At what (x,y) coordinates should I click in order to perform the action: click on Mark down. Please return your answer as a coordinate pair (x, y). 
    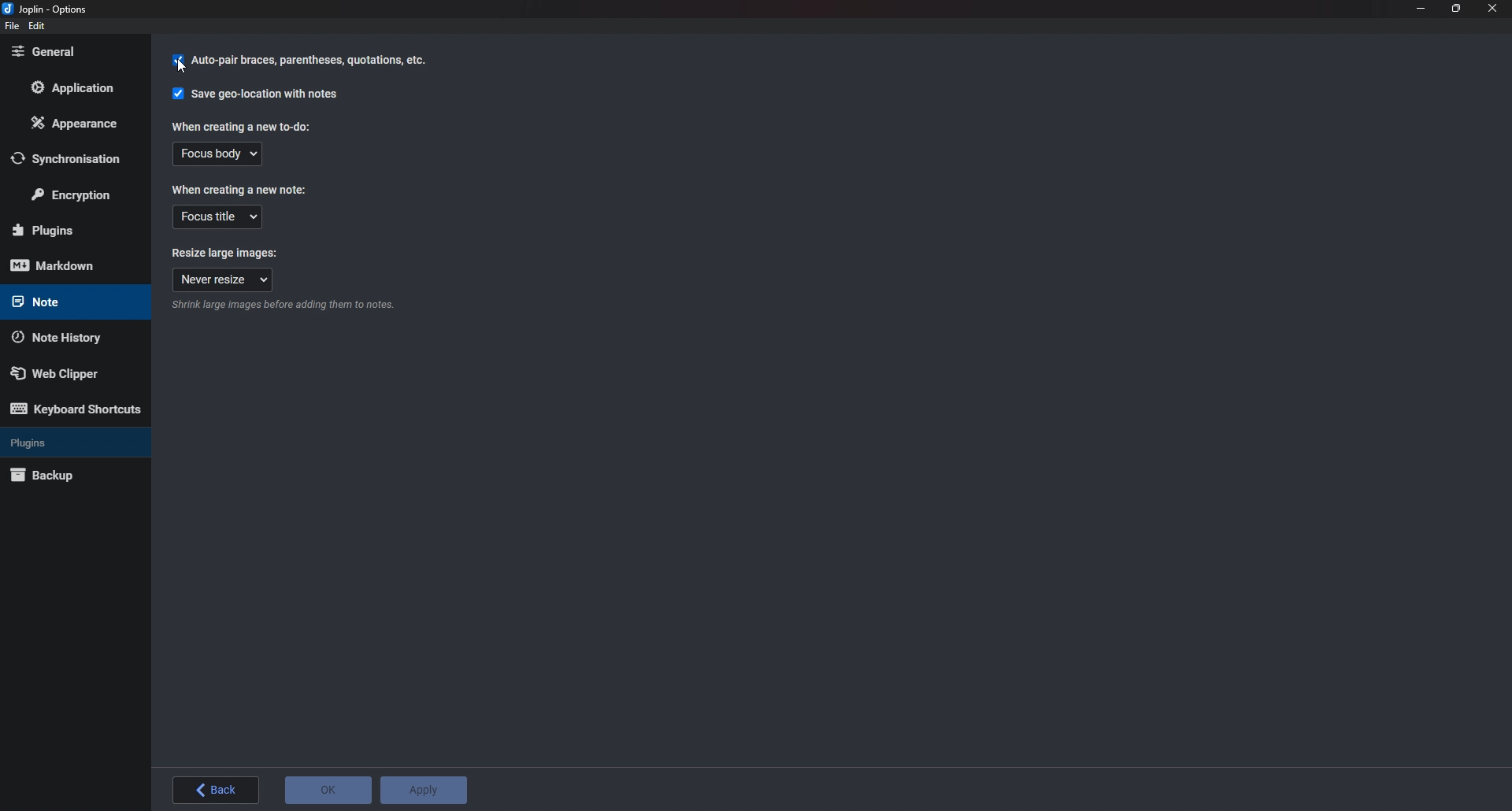
    Looking at the image, I should click on (69, 265).